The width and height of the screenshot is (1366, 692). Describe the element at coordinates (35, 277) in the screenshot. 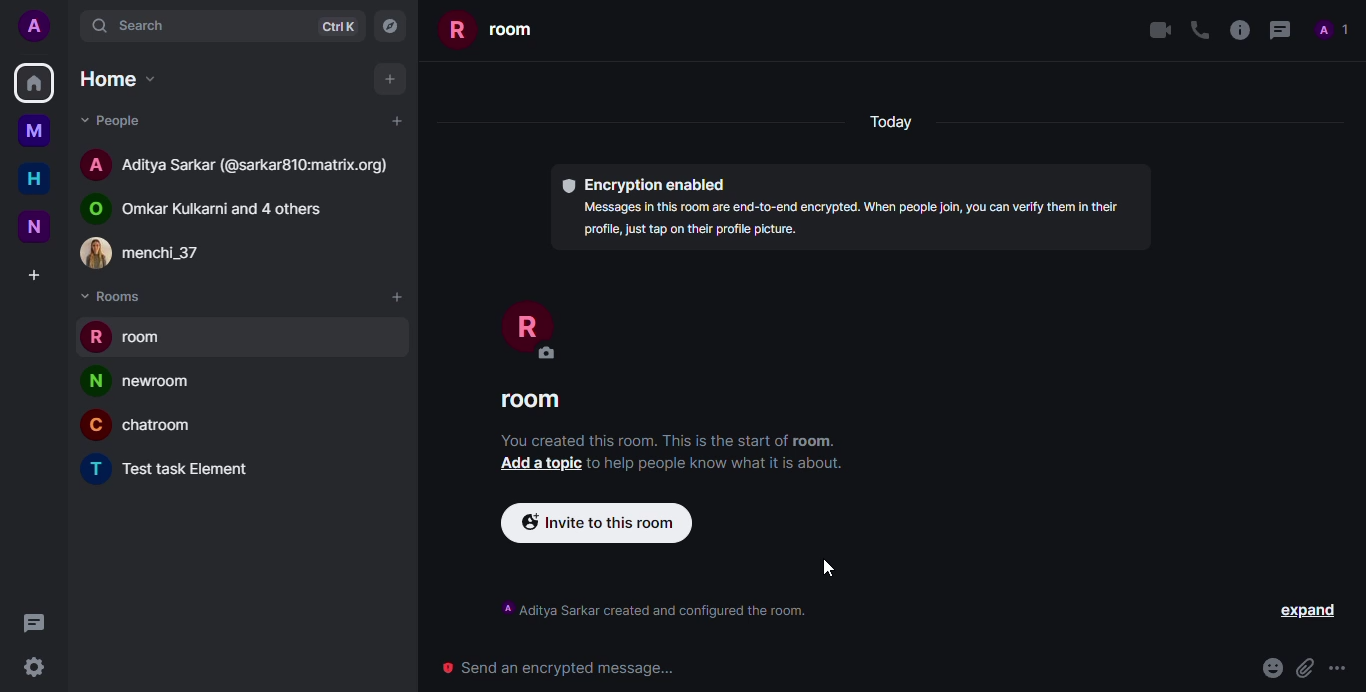

I see `create space` at that location.